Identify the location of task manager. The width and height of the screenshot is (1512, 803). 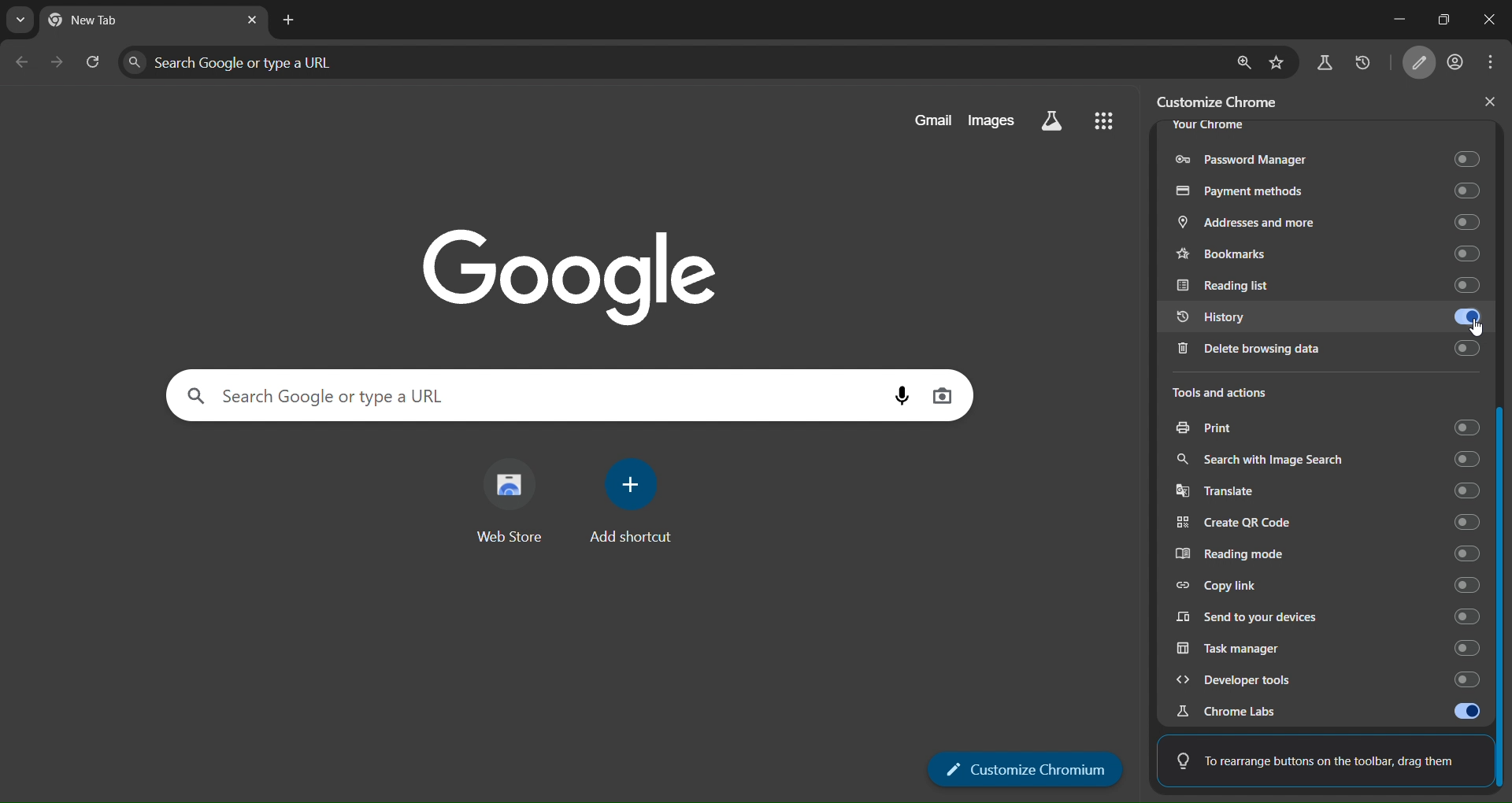
(1322, 647).